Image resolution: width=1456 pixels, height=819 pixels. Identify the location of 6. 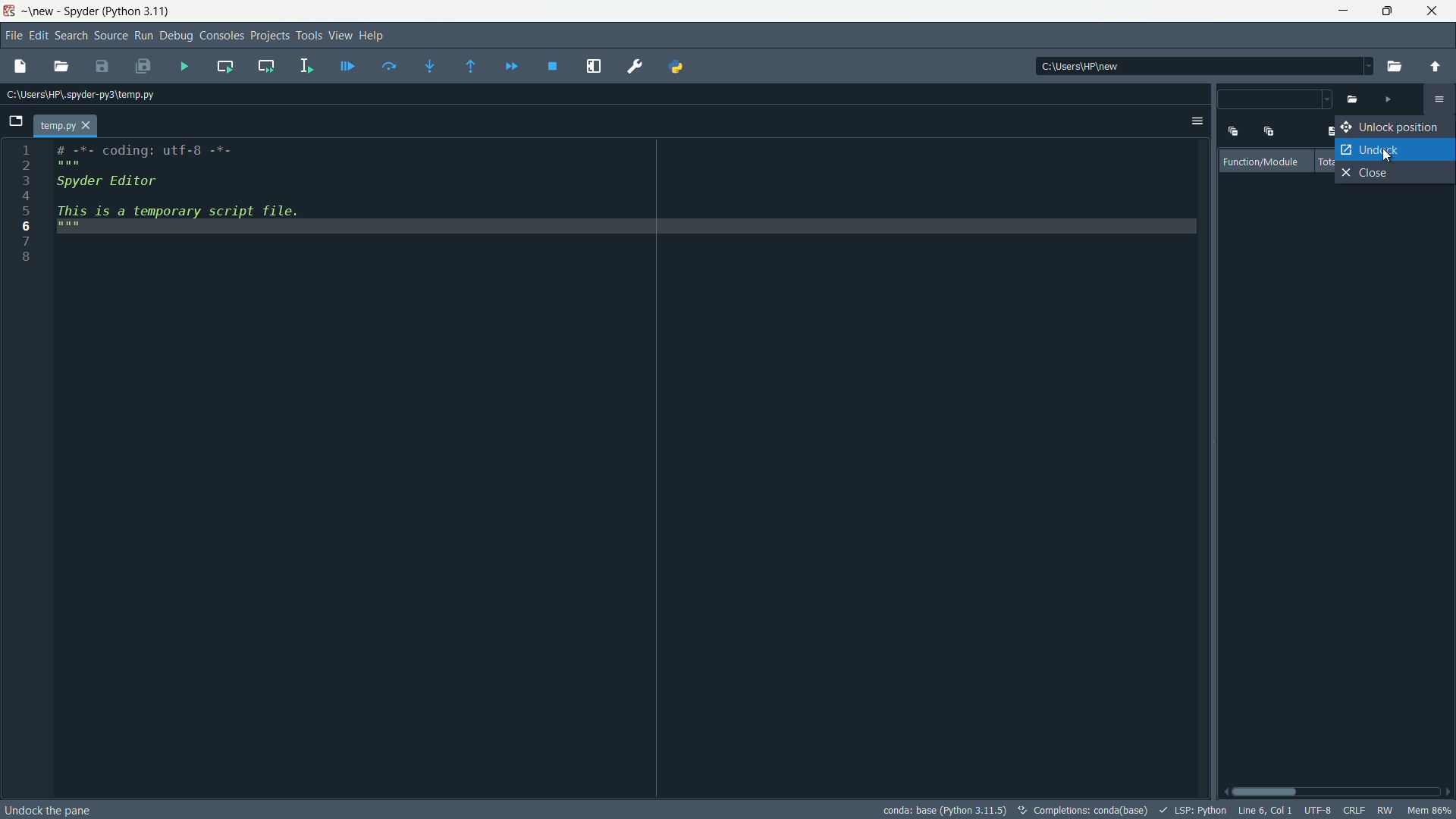
(28, 227).